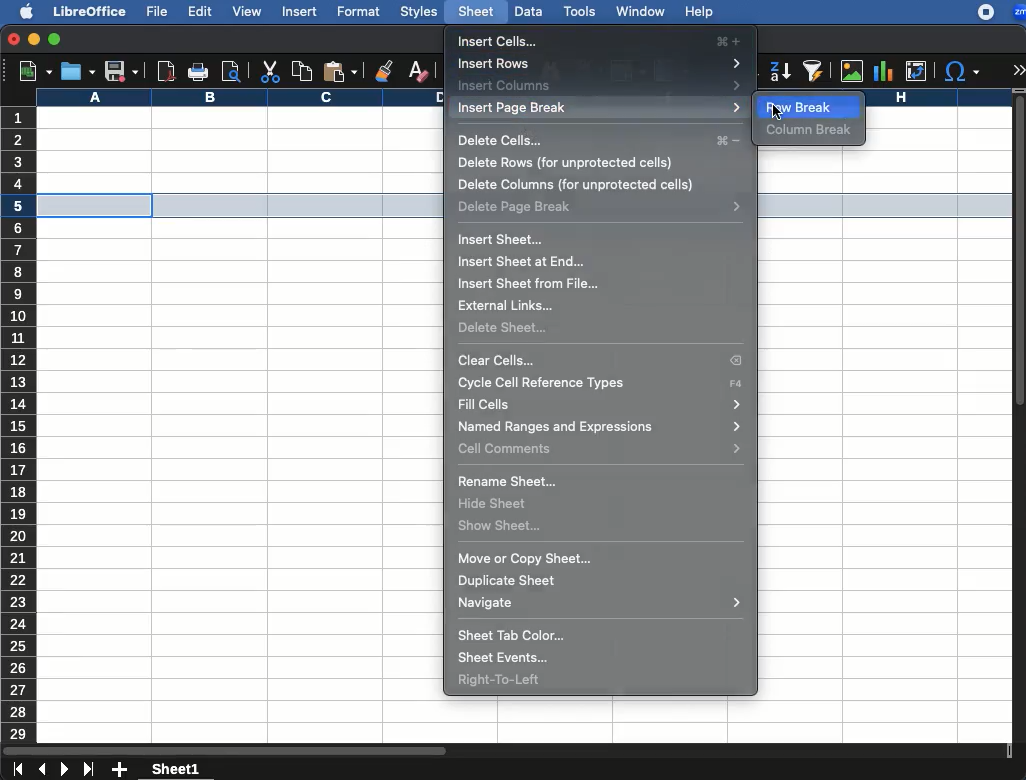 The height and width of the screenshot is (780, 1026). Describe the element at coordinates (698, 12) in the screenshot. I see `help` at that location.